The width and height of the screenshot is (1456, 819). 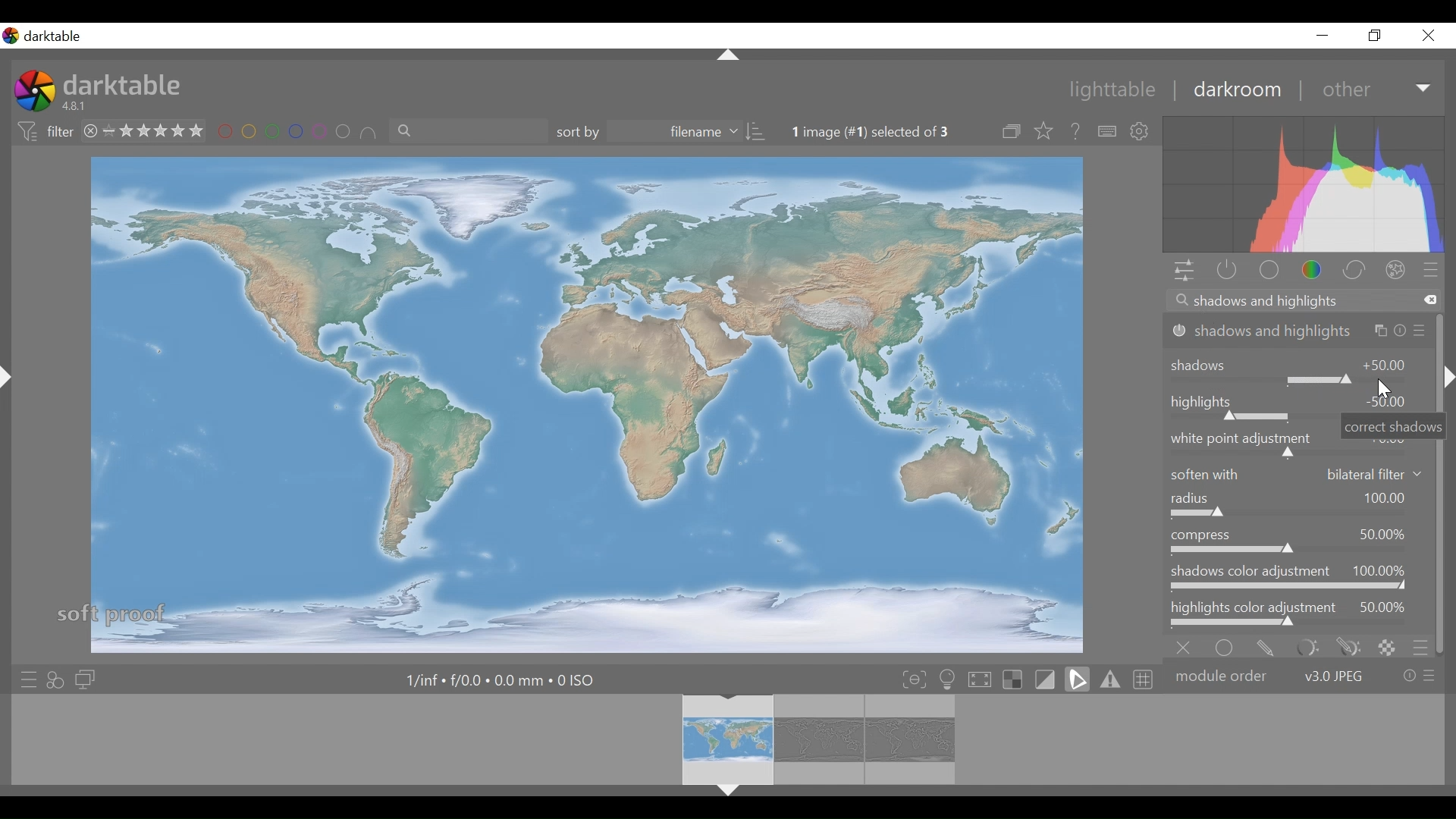 What do you see at coordinates (1298, 579) in the screenshot?
I see `shadow color adjustments` at bounding box center [1298, 579].